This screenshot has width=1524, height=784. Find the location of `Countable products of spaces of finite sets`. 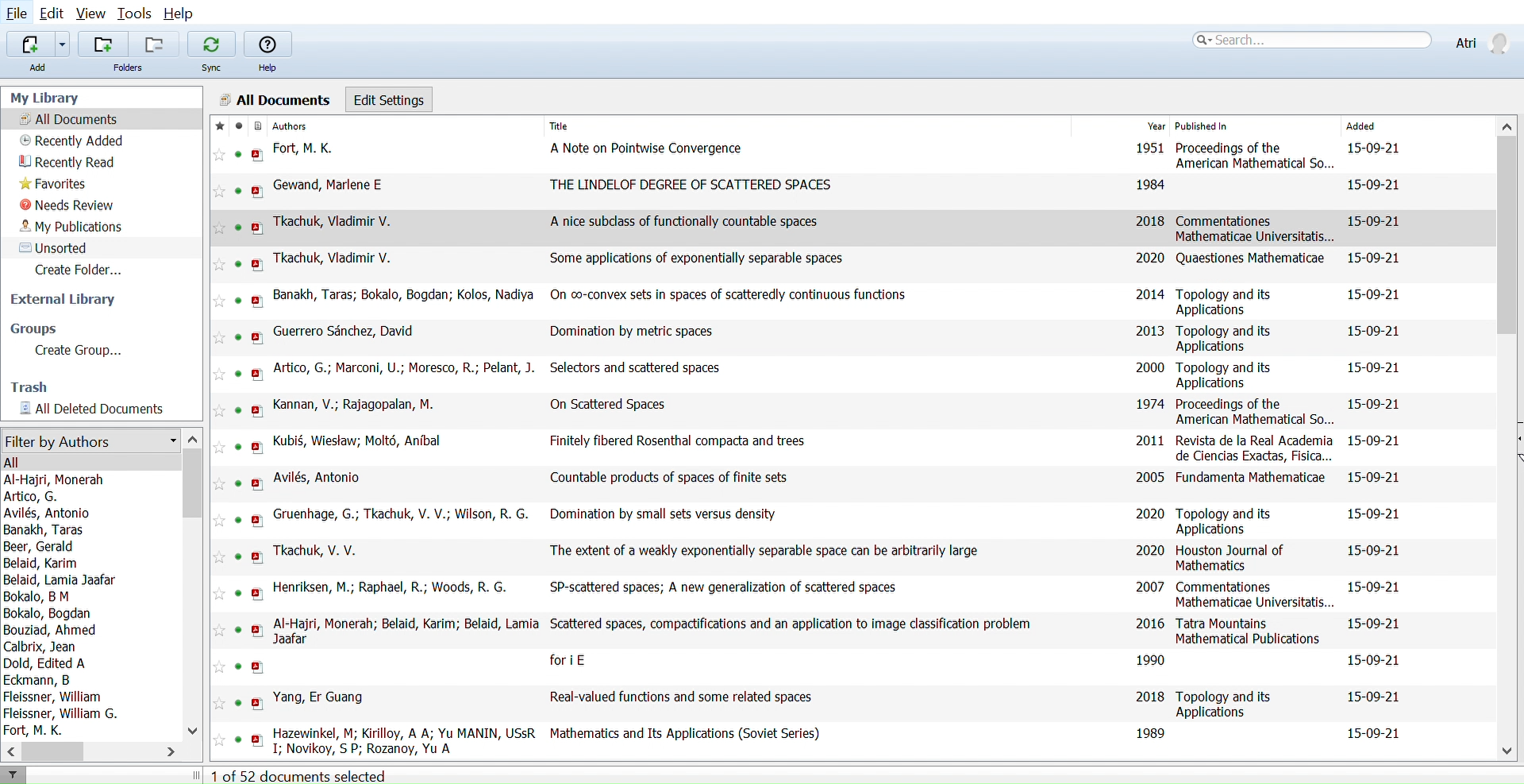

Countable products of spaces of finite sets is located at coordinates (669, 478).